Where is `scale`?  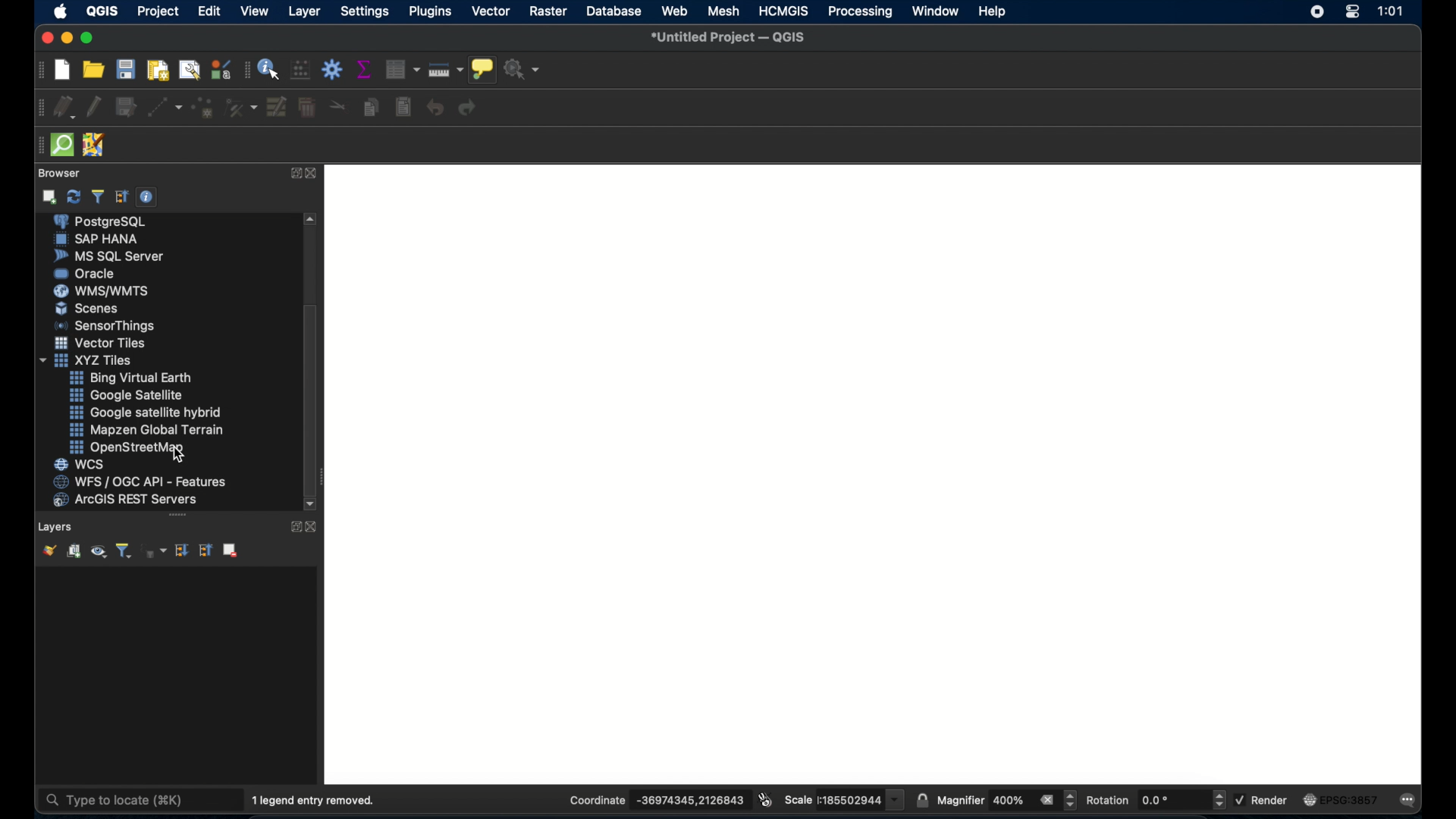 scale is located at coordinates (843, 799).